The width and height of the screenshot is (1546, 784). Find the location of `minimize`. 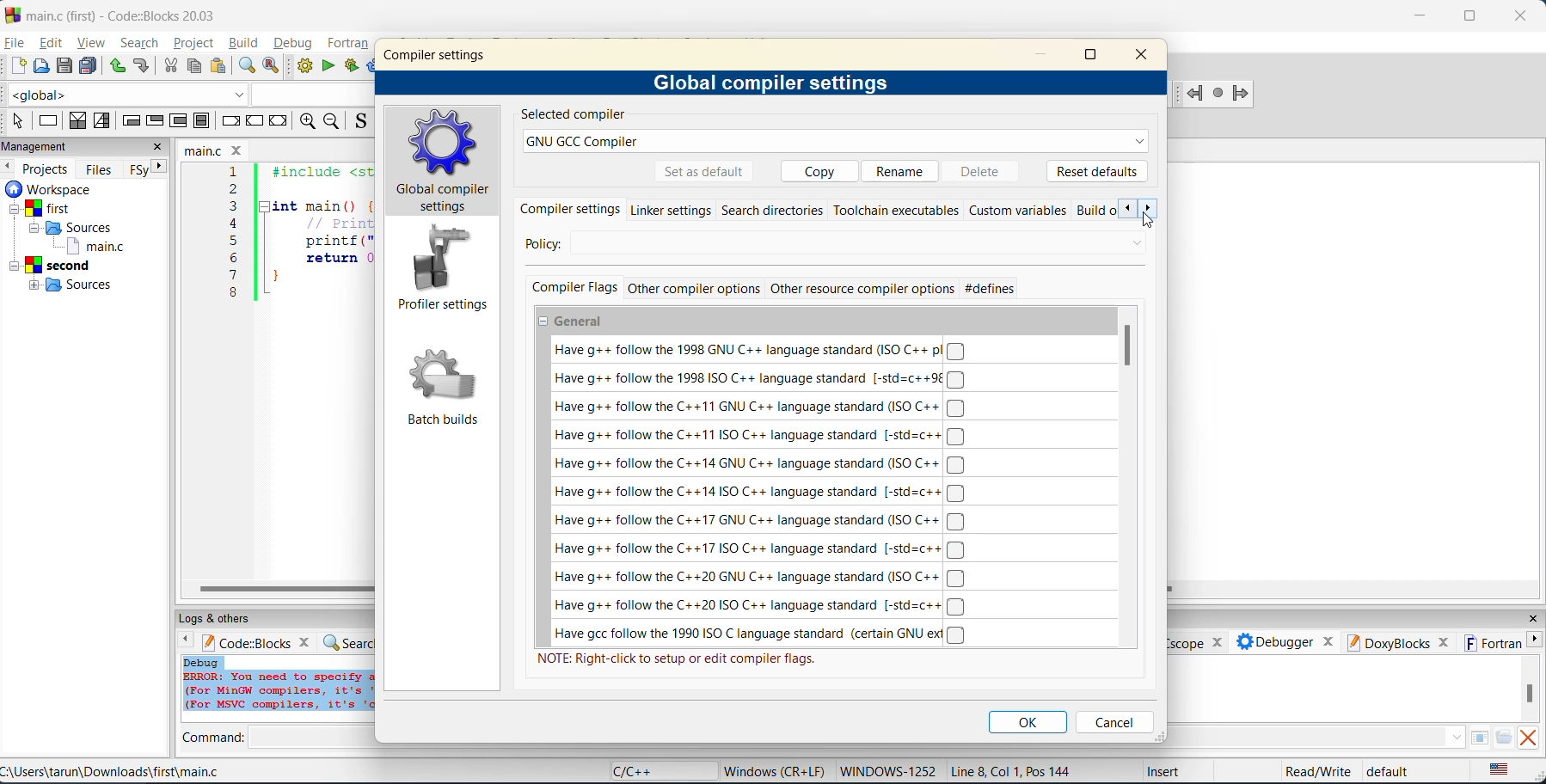

minimize is located at coordinates (1421, 15).